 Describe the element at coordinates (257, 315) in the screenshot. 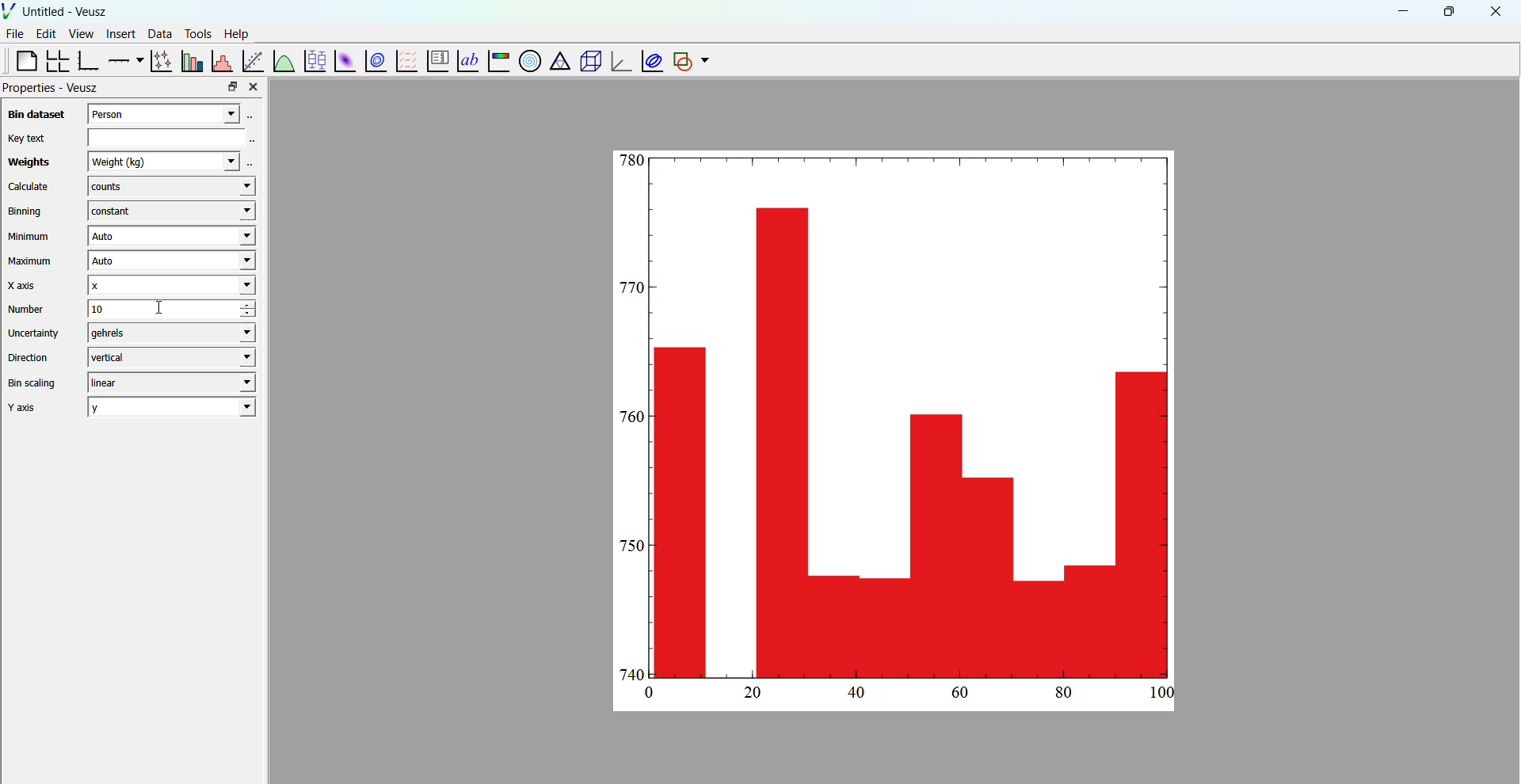

I see `decrease number` at that location.